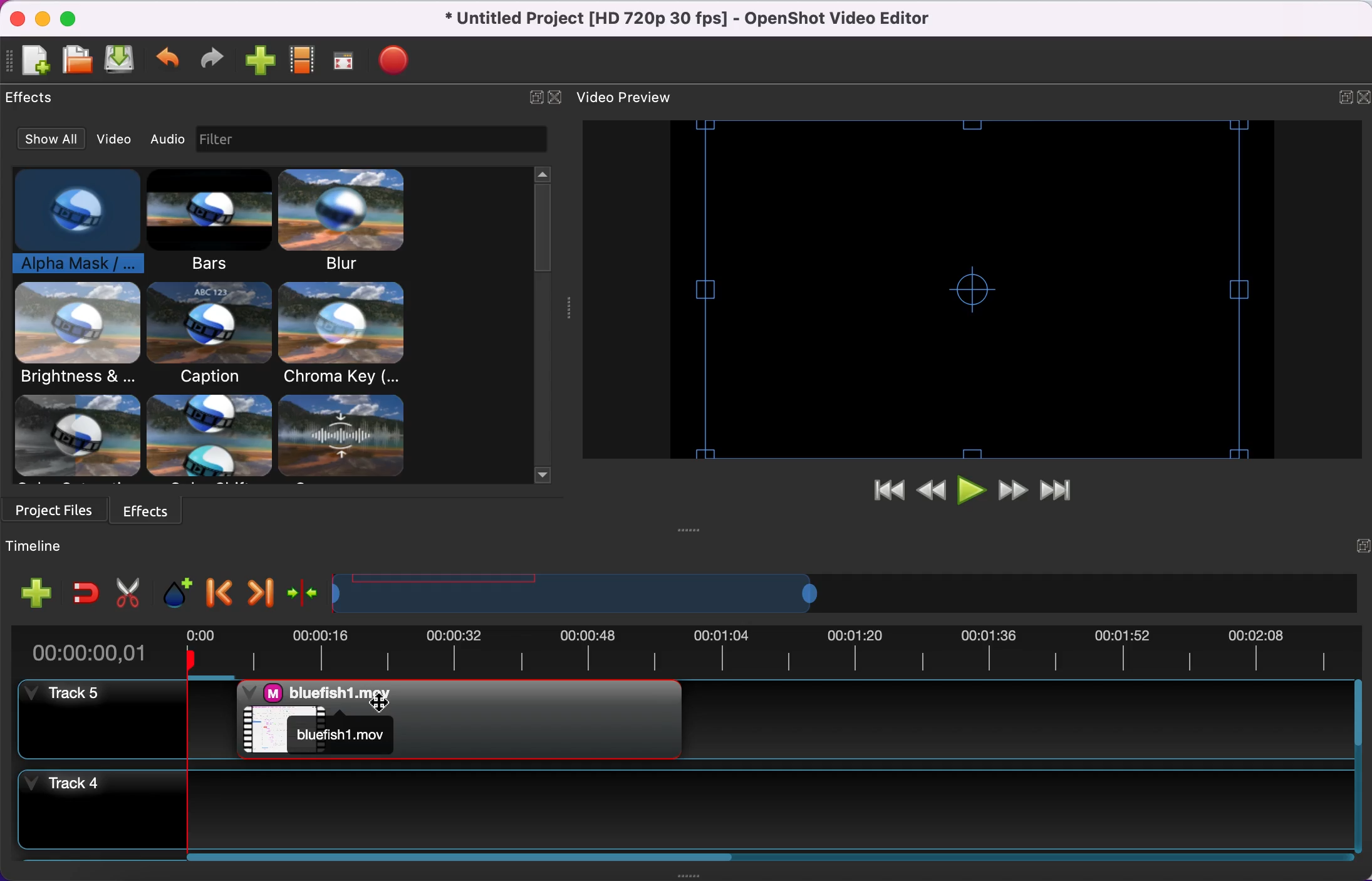  I want to click on video preview, so click(634, 98).